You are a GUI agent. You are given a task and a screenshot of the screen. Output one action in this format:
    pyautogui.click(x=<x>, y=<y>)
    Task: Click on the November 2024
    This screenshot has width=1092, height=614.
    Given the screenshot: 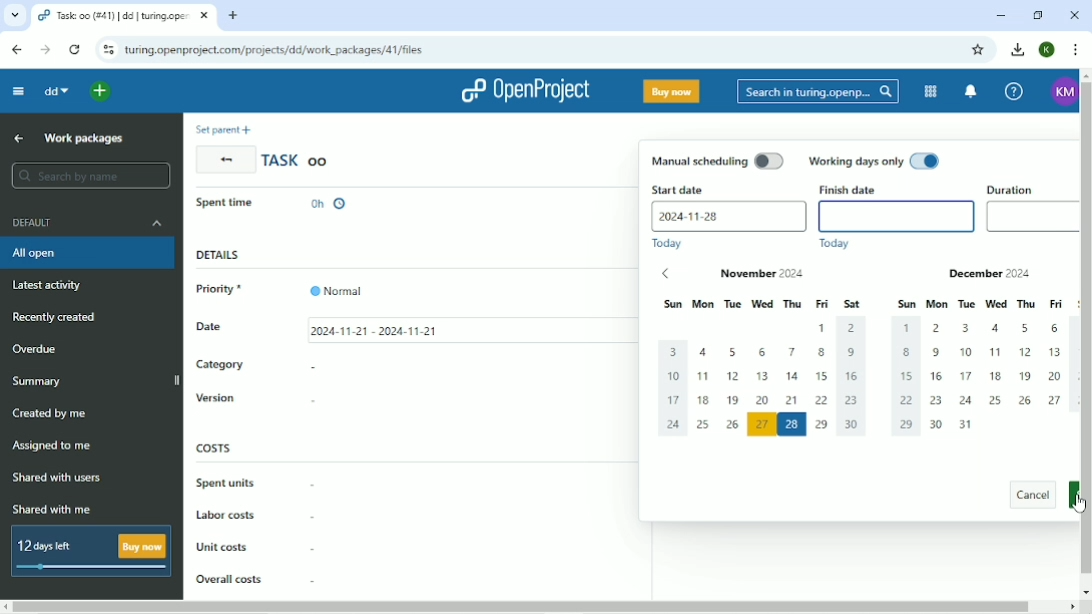 What is the action you would take?
    pyautogui.click(x=771, y=274)
    